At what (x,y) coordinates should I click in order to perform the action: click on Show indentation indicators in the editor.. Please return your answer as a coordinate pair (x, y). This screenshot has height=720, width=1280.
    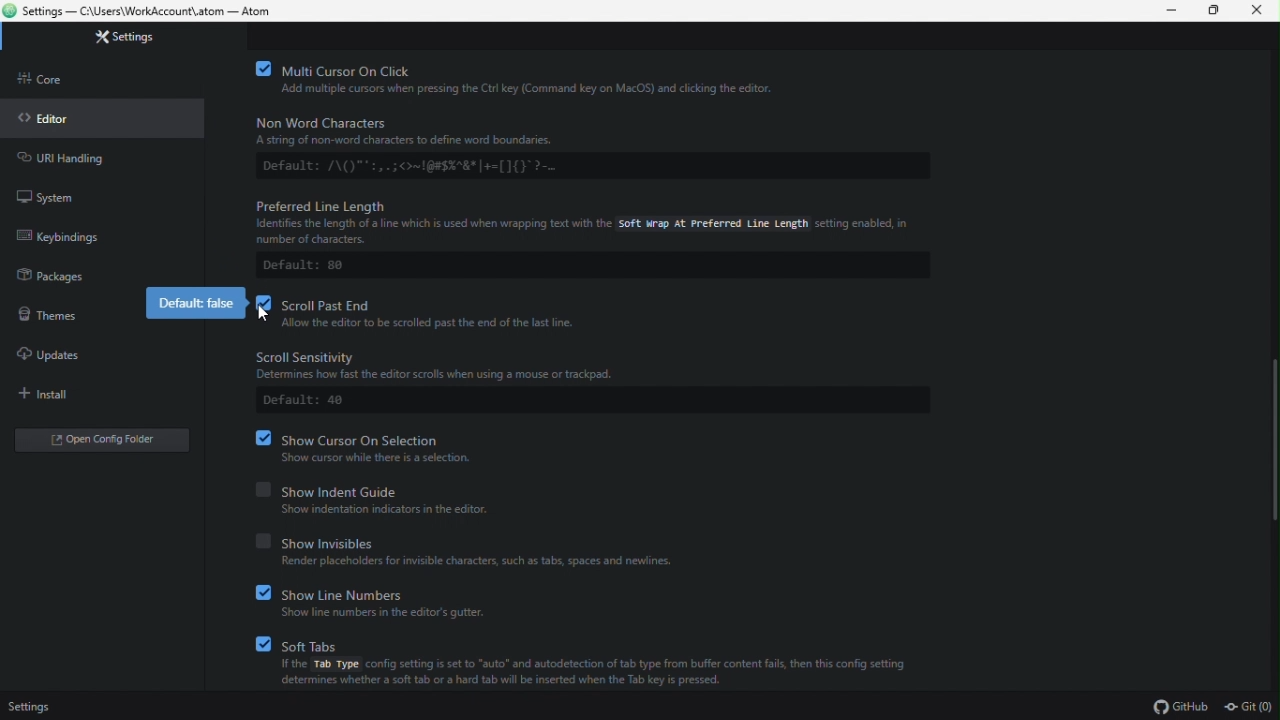
    Looking at the image, I should click on (400, 509).